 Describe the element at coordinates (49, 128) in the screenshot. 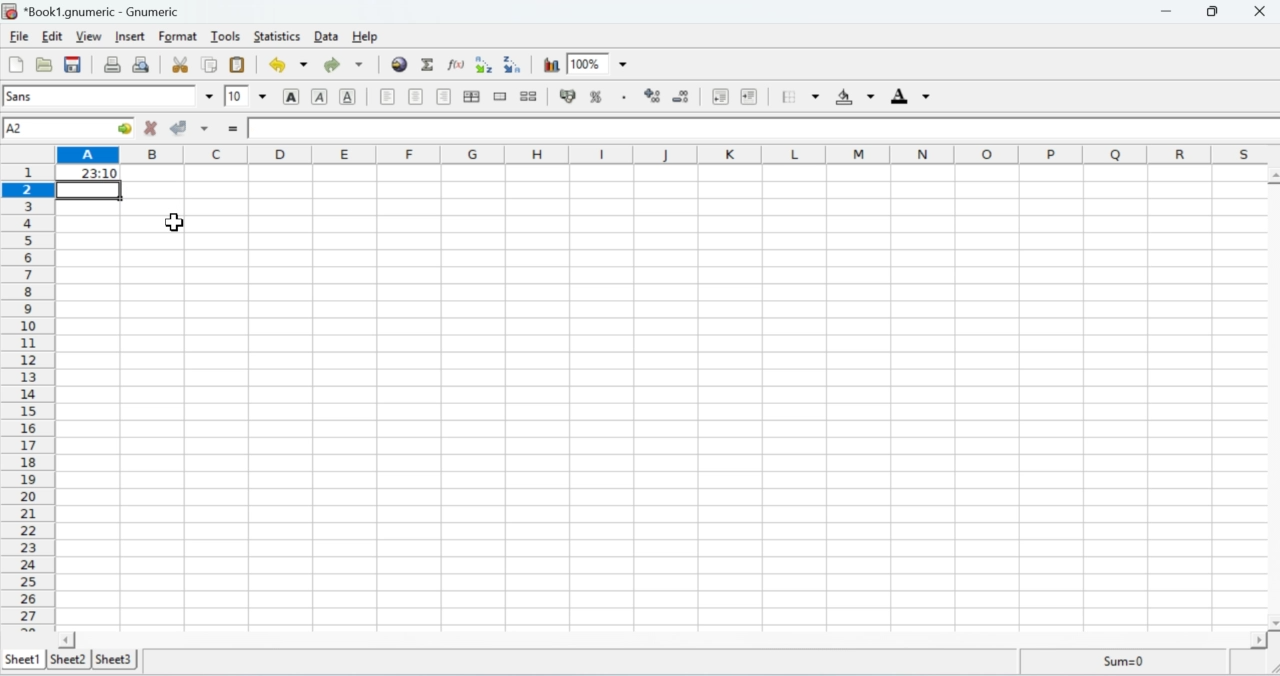

I see `Cell name A1` at that location.